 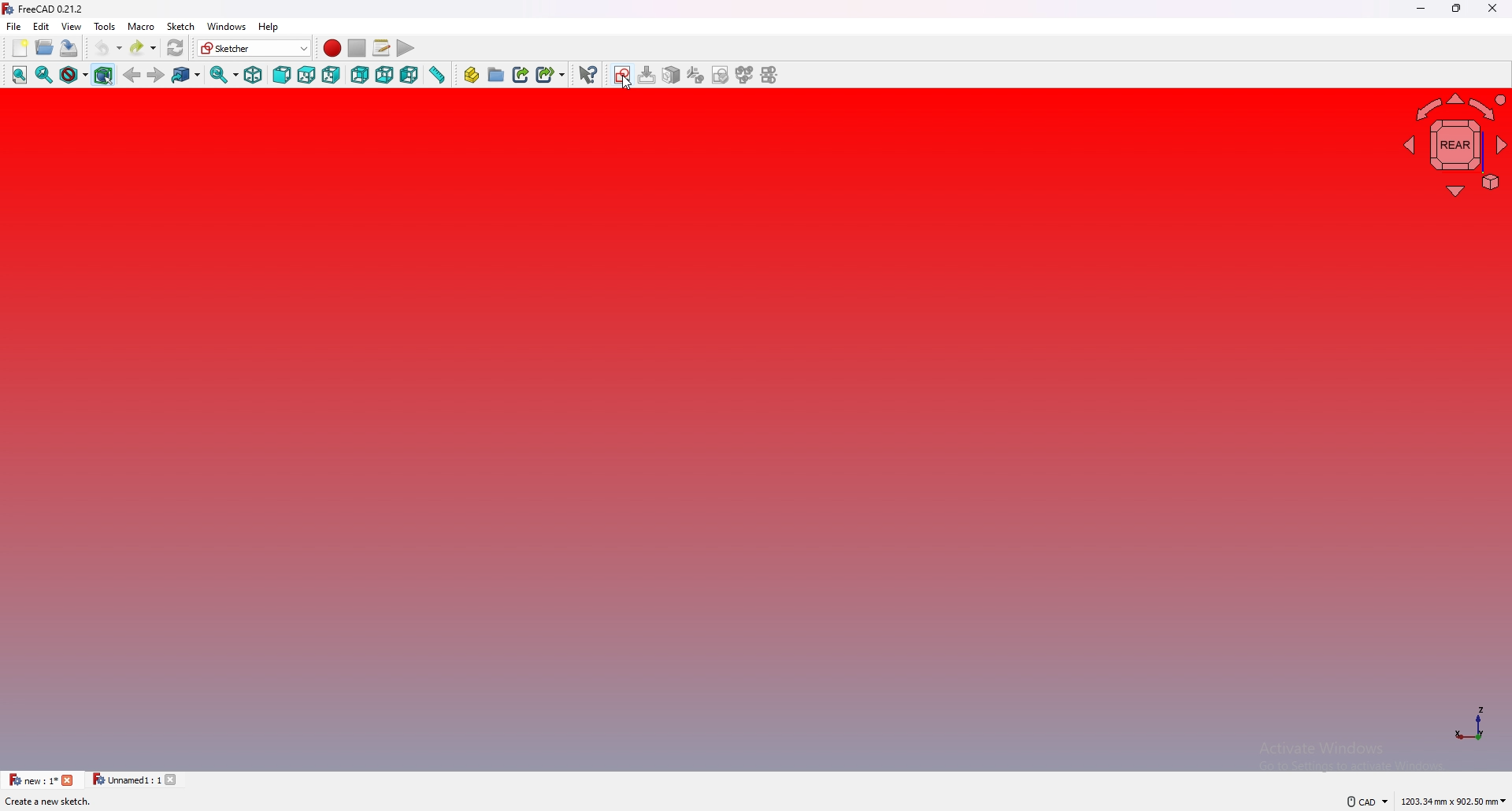 What do you see at coordinates (1362, 801) in the screenshot?
I see `CAD` at bounding box center [1362, 801].